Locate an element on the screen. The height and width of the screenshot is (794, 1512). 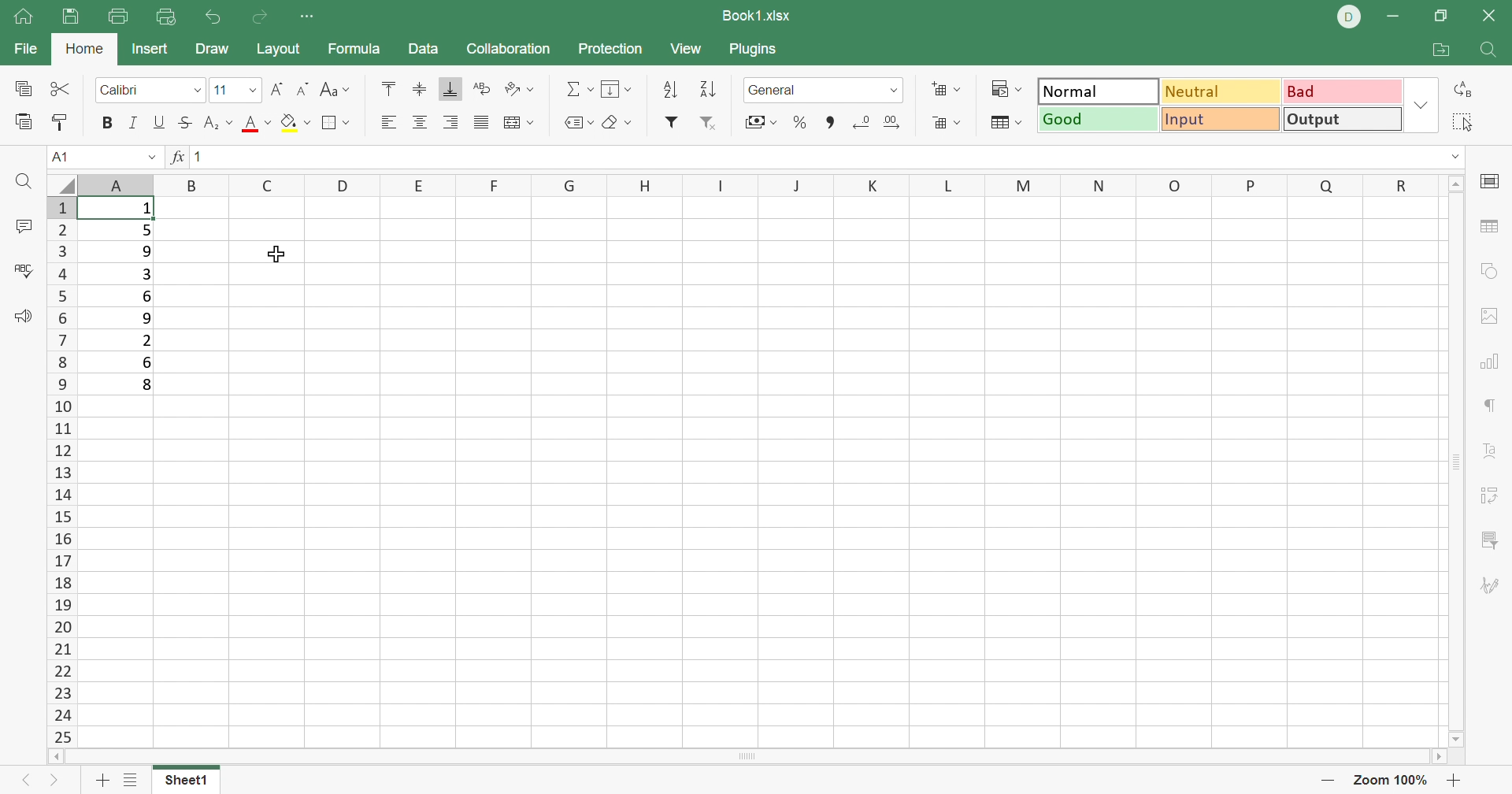
chart settings is located at coordinates (1491, 363).